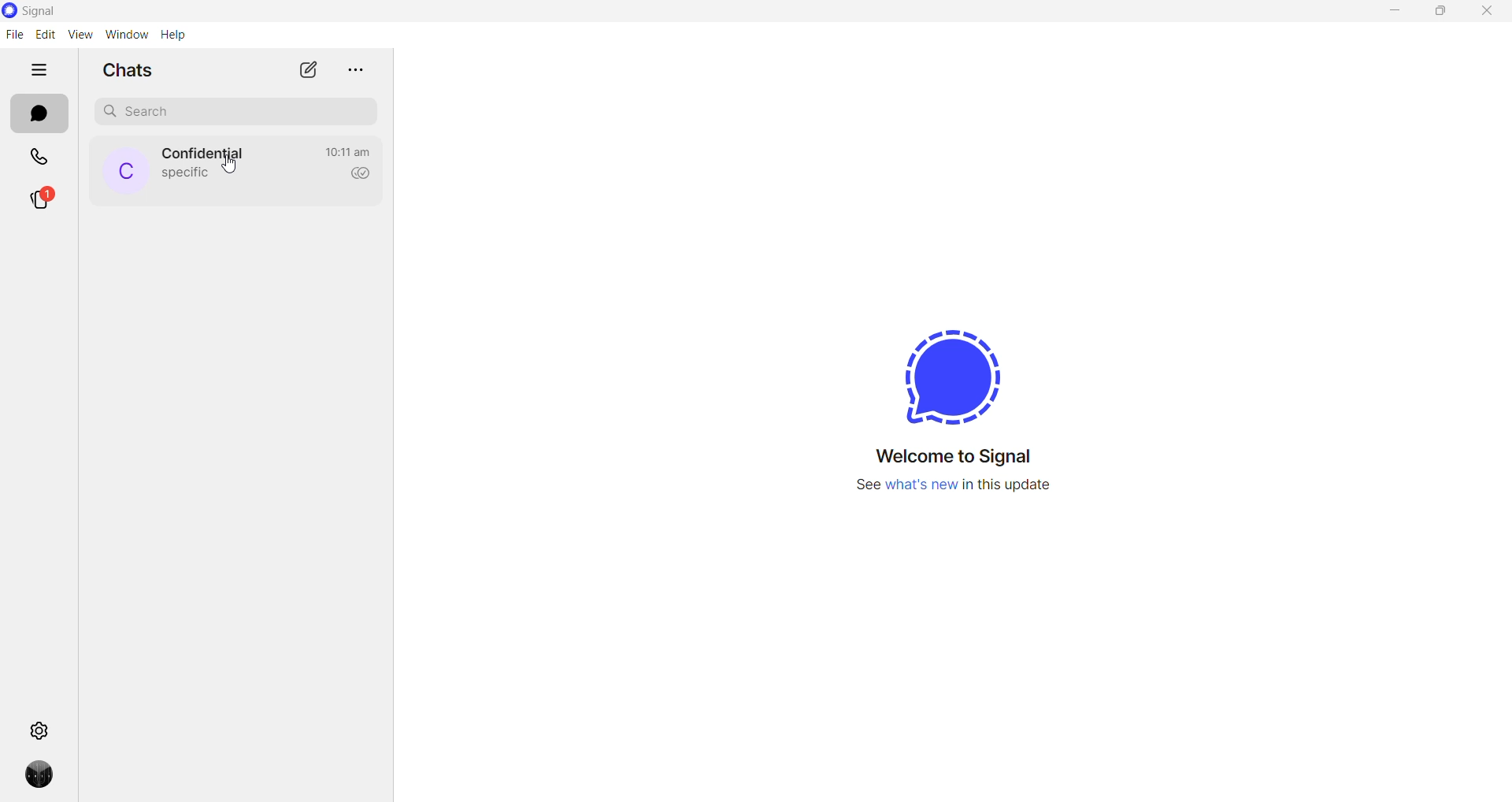 This screenshot has height=802, width=1512. I want to click on signal logo, so click(956, 369).